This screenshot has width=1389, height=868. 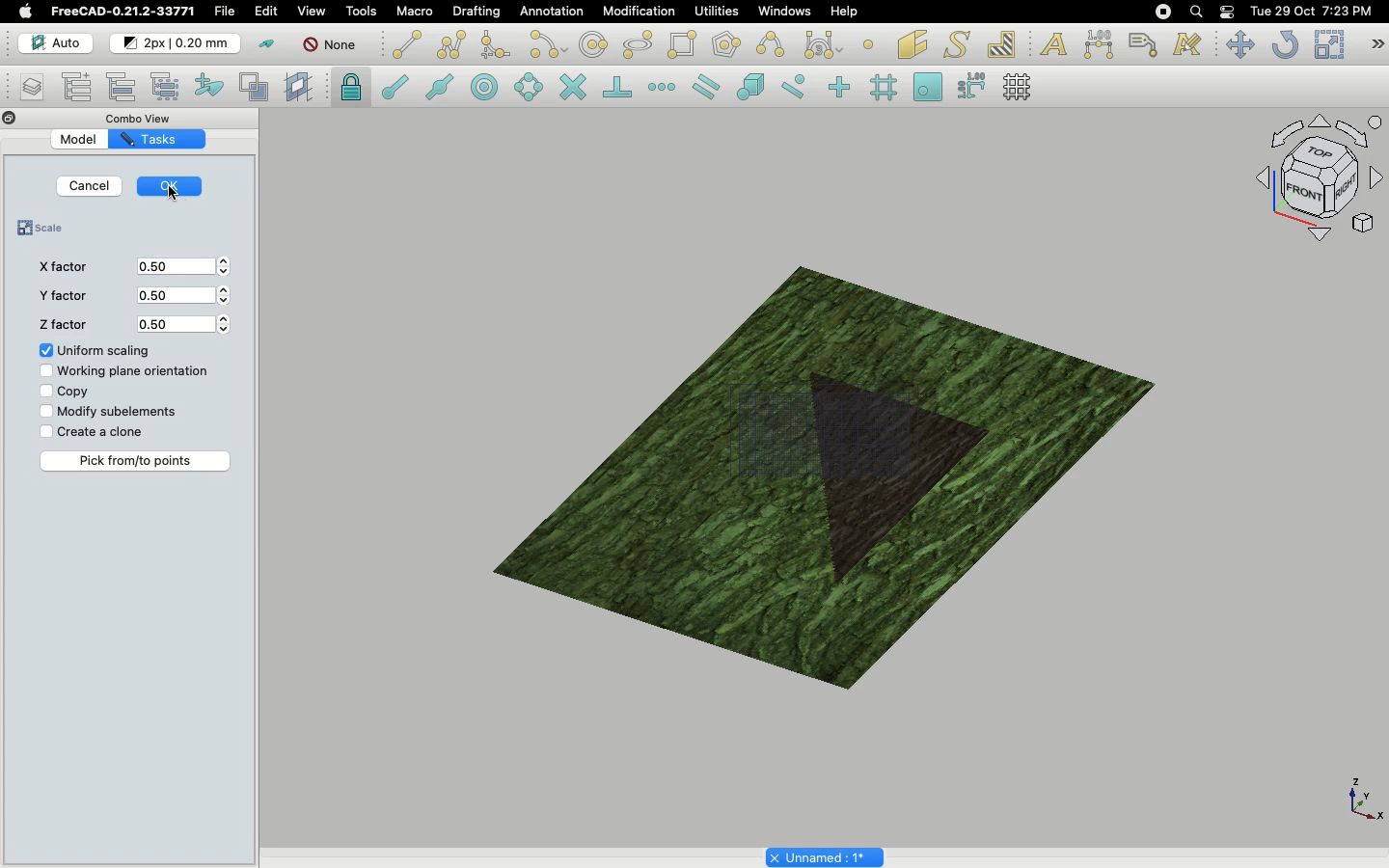 What do you see at coordinates (636, 43) in the screenshot?
I see `Ellipse` at bounding box center [636, 43].